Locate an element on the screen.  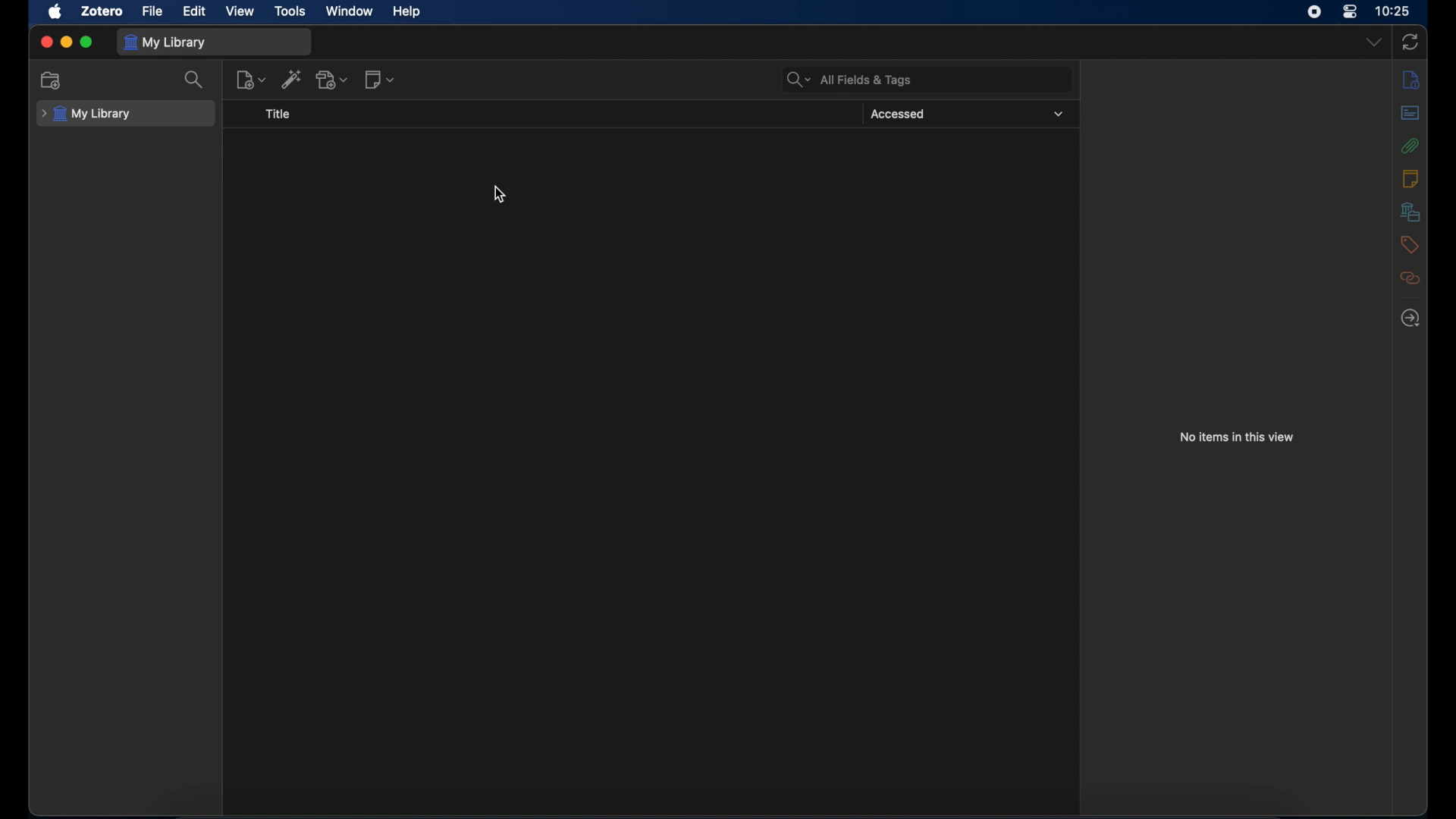
add item by identifier is located at coordinates (292, 79).